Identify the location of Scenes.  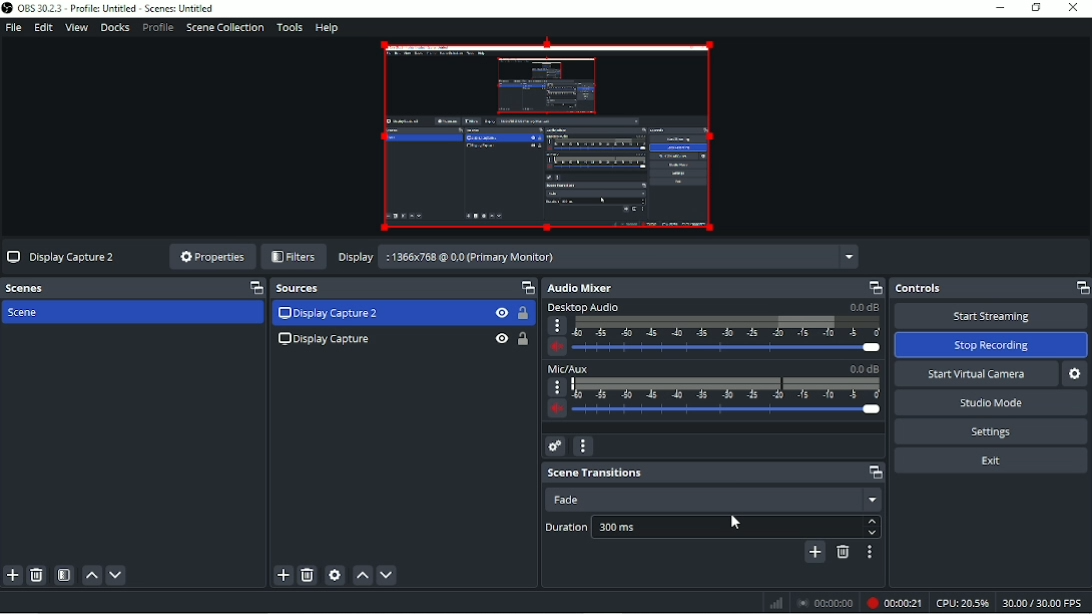
(134, 287).